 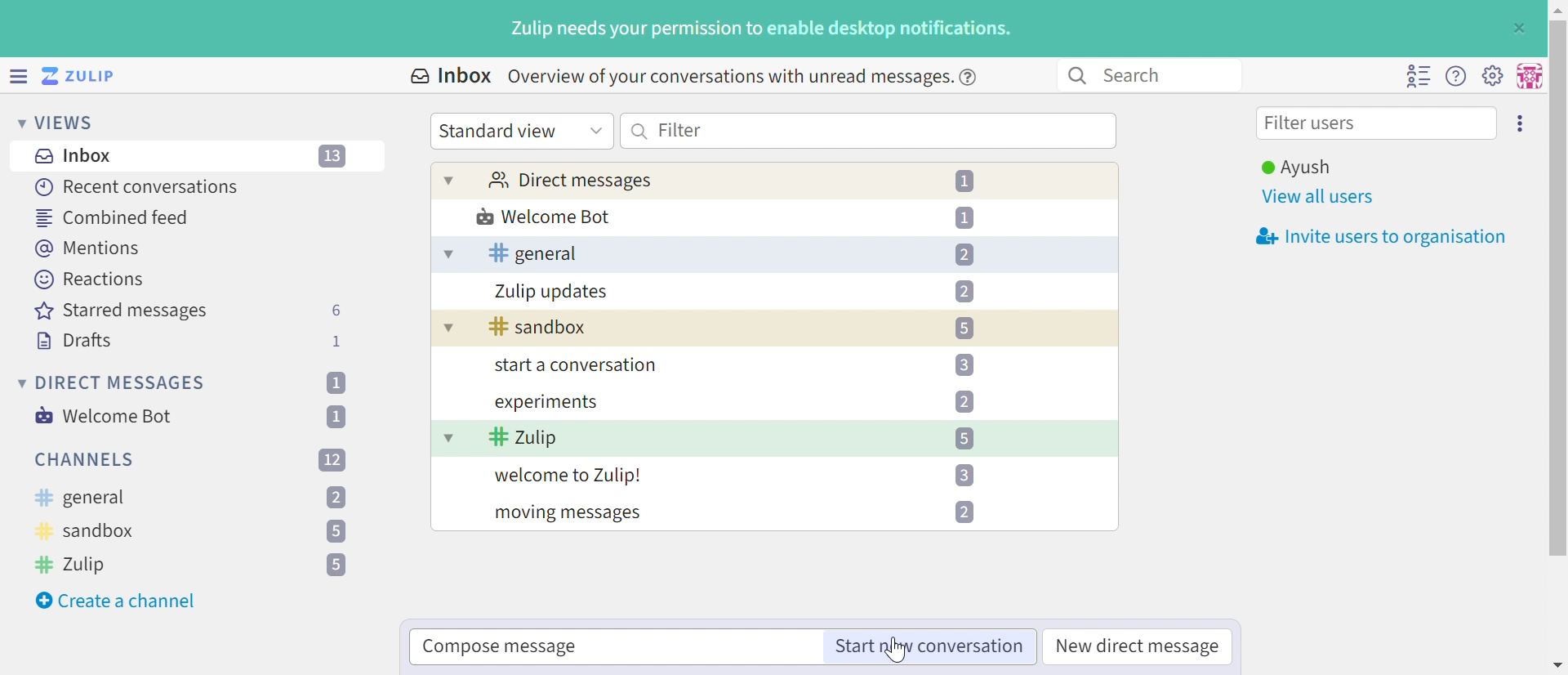 What do you see at coordinates (1517, 29) in the screenshot?
I see `Close` at bounding box center [1517, 29].